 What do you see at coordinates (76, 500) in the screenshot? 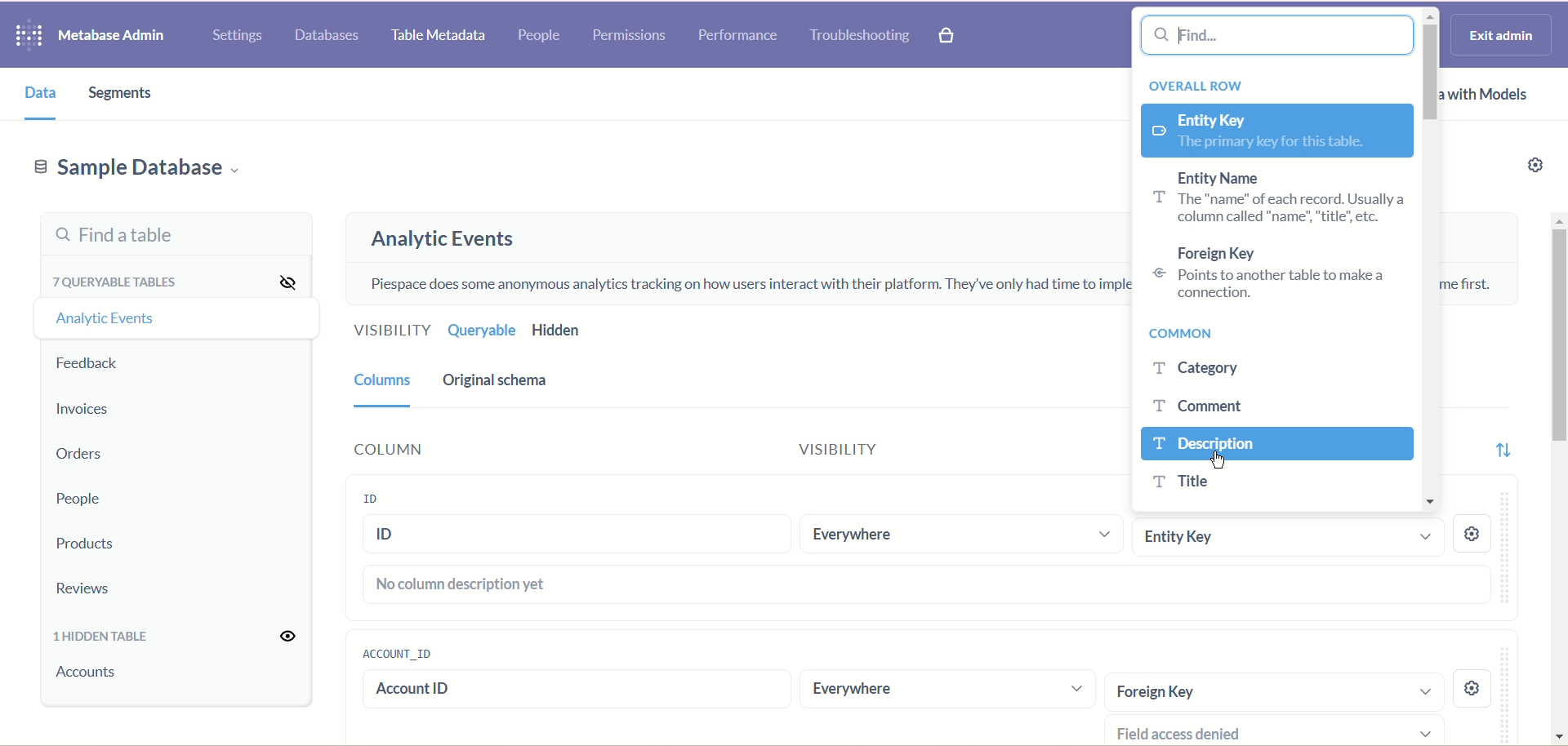
I see `people` at bounding box center [76, 500].